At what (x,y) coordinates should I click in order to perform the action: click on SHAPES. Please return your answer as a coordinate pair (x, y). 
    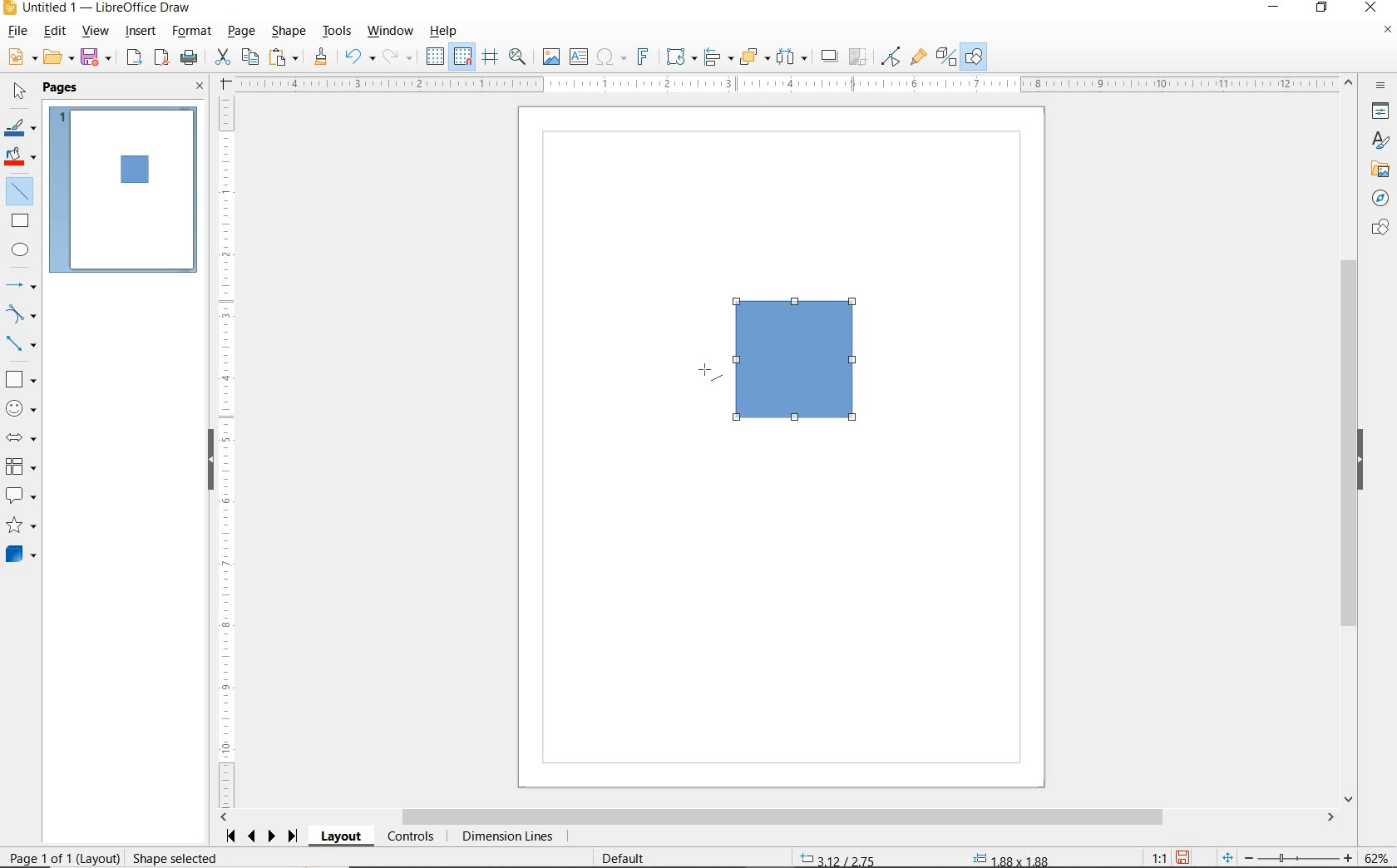
    Looking at the image, I should click on (1378, 229).